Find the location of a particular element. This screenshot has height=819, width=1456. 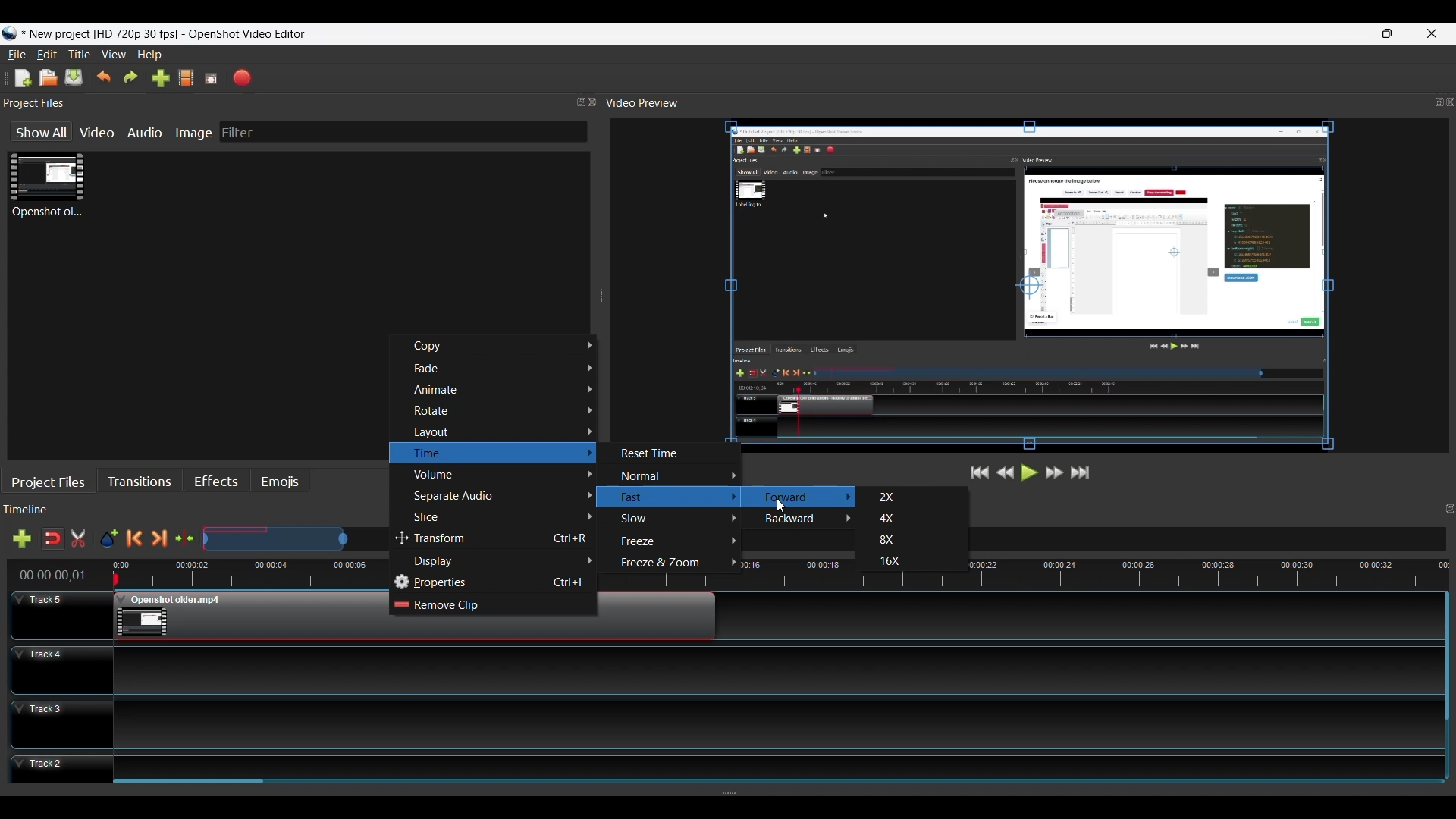

Audio is located at coordinates (143, 134).